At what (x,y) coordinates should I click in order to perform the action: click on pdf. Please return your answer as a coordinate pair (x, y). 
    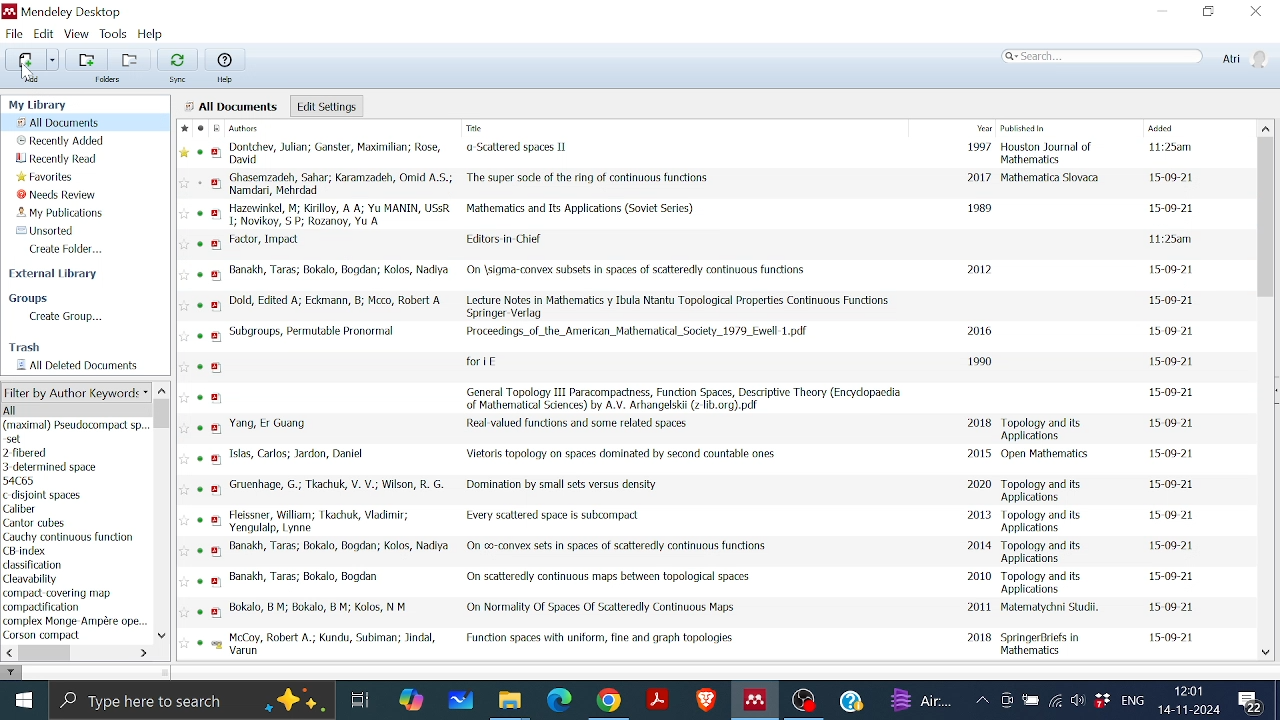
    Looking at the image, I should click on (215, 247).